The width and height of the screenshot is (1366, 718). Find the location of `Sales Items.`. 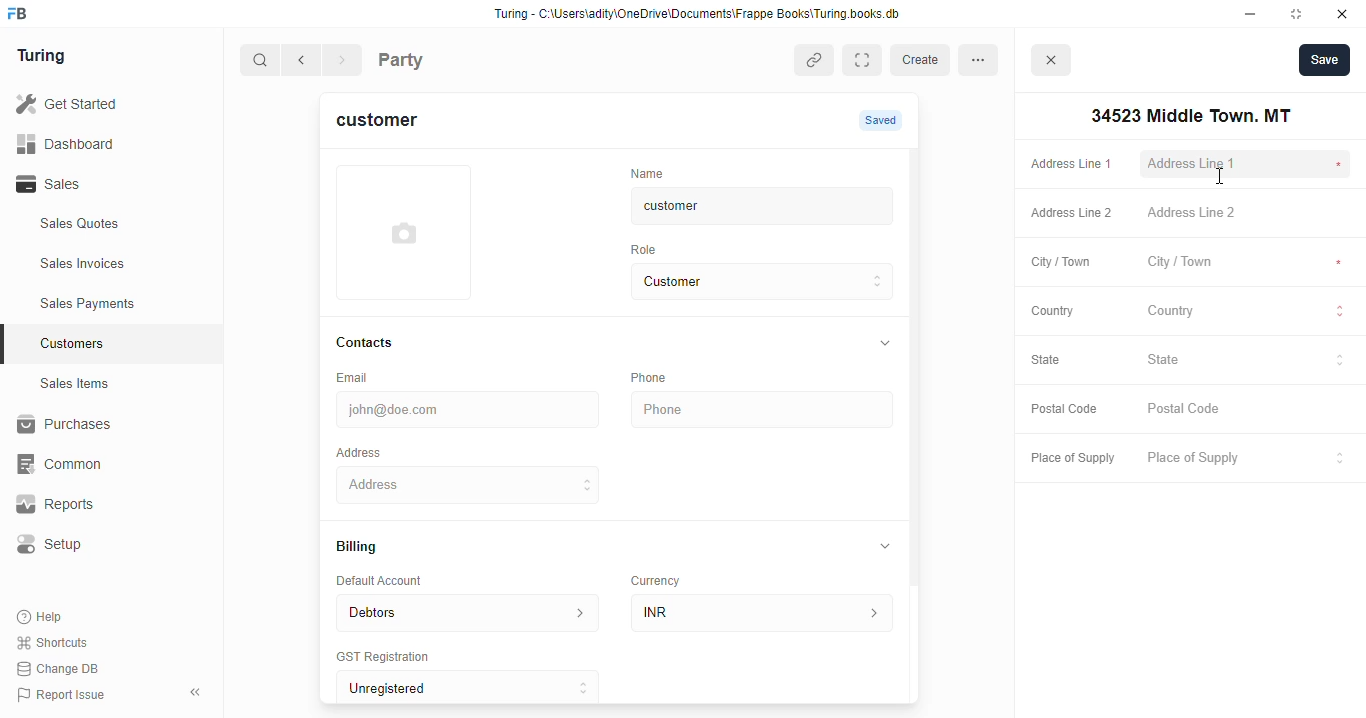

Sales Items. is located at coordinates (111, 384).